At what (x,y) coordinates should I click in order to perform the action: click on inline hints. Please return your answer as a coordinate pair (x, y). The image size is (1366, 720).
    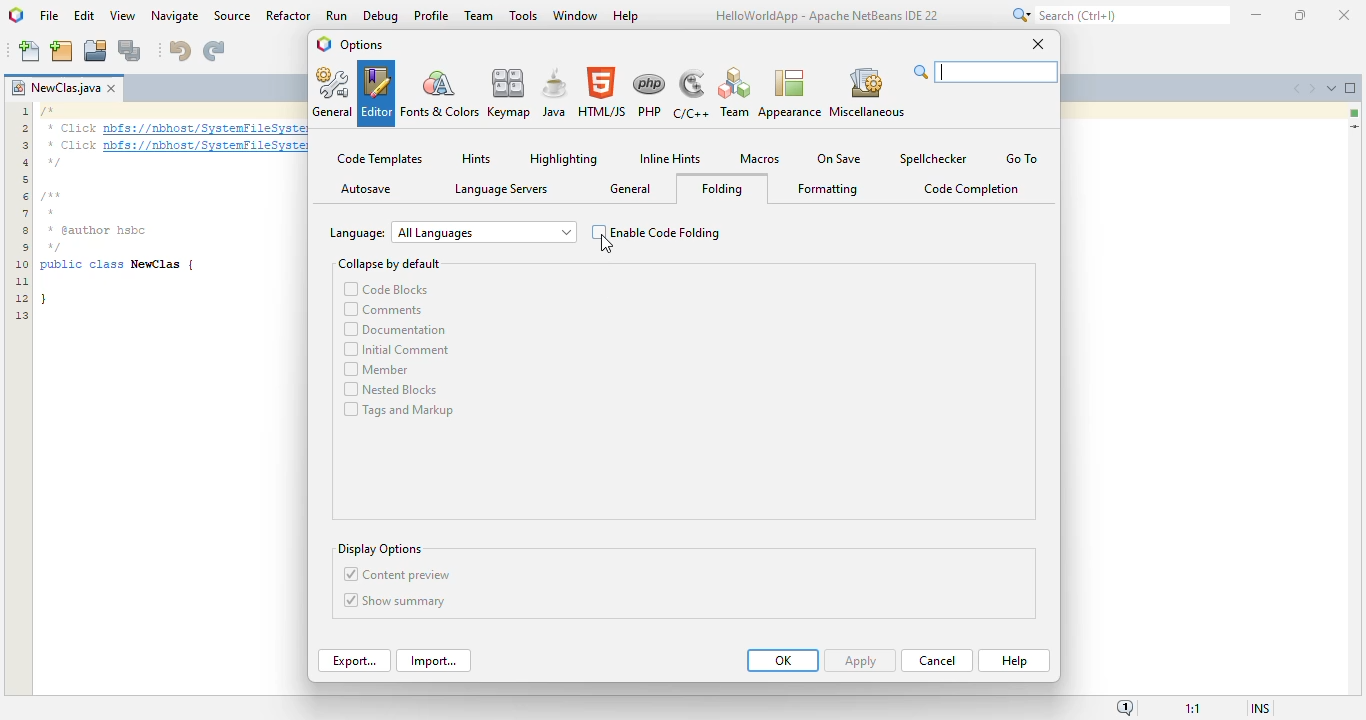
    Looking at the image, I should click on (669, 159).